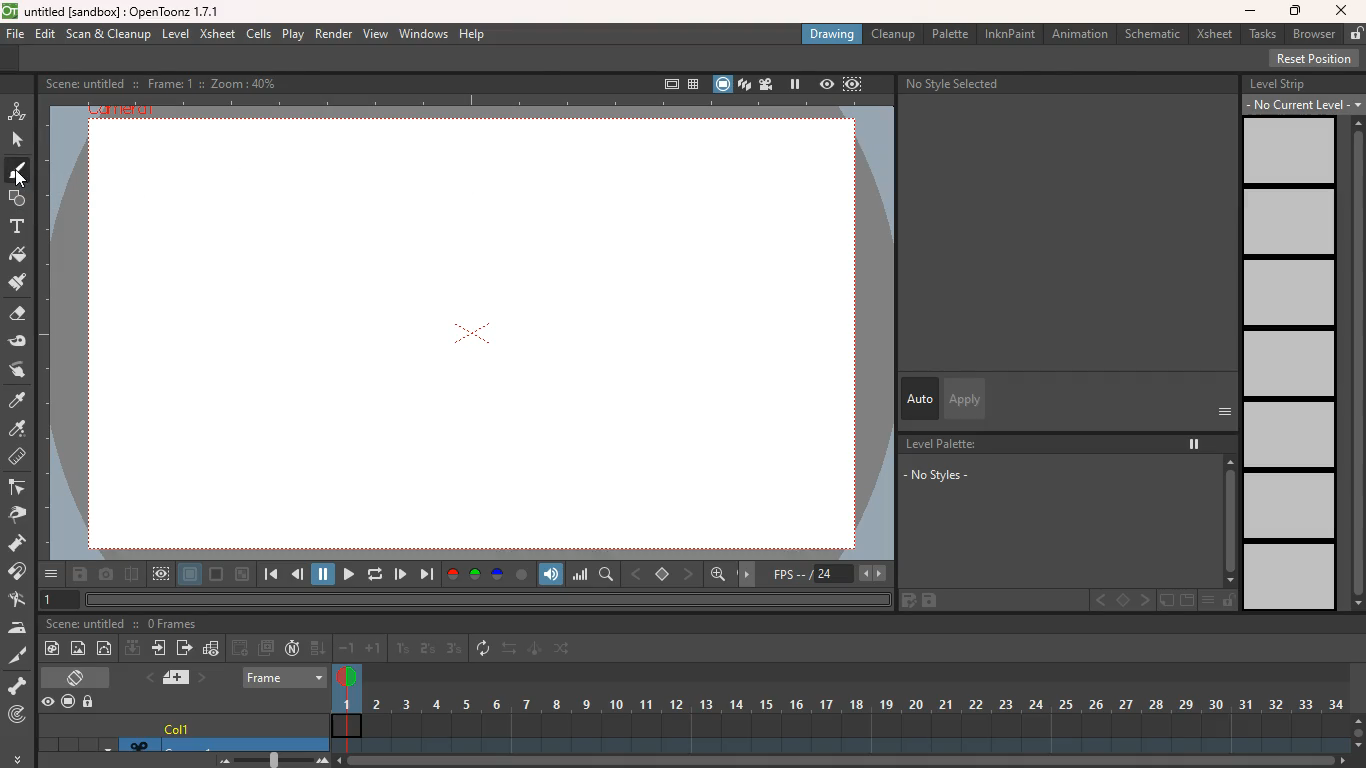 The height and width of the screenshot is (768, 1366). I want to click on circle, so click(107, 650).